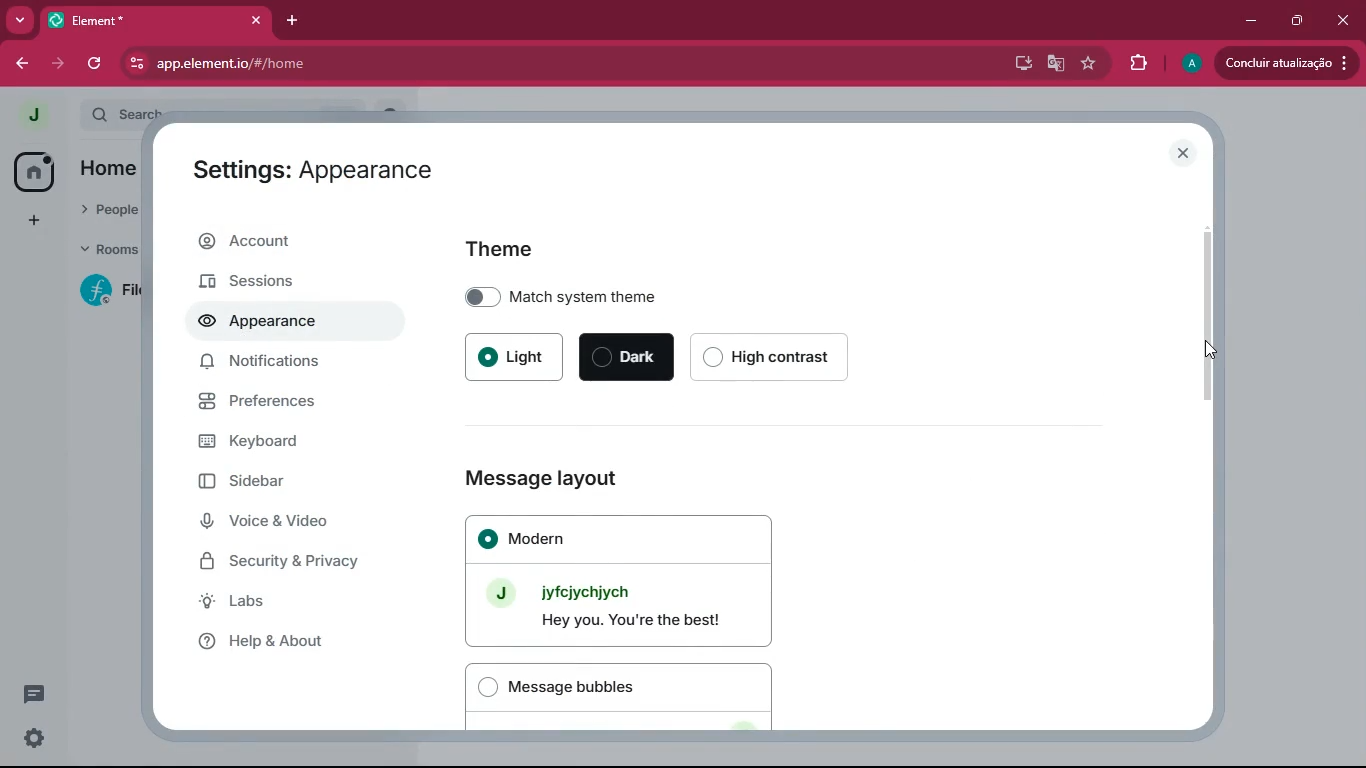 The height and width of the screenshot is (768, 1366). What do you see at coordinates (32, 694) in the screenshot?
I see `message` at bounding box center [32, 694].